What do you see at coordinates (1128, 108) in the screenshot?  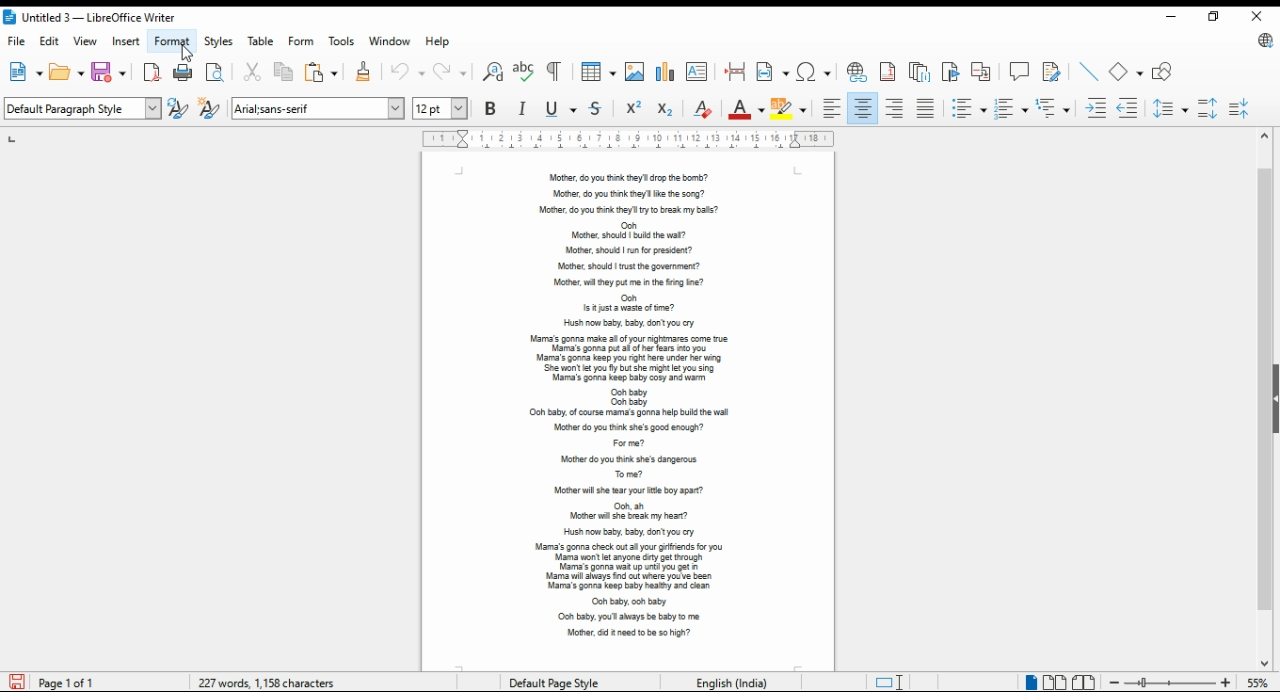 I see `decrease indent` at bounding box center [1128, 108].